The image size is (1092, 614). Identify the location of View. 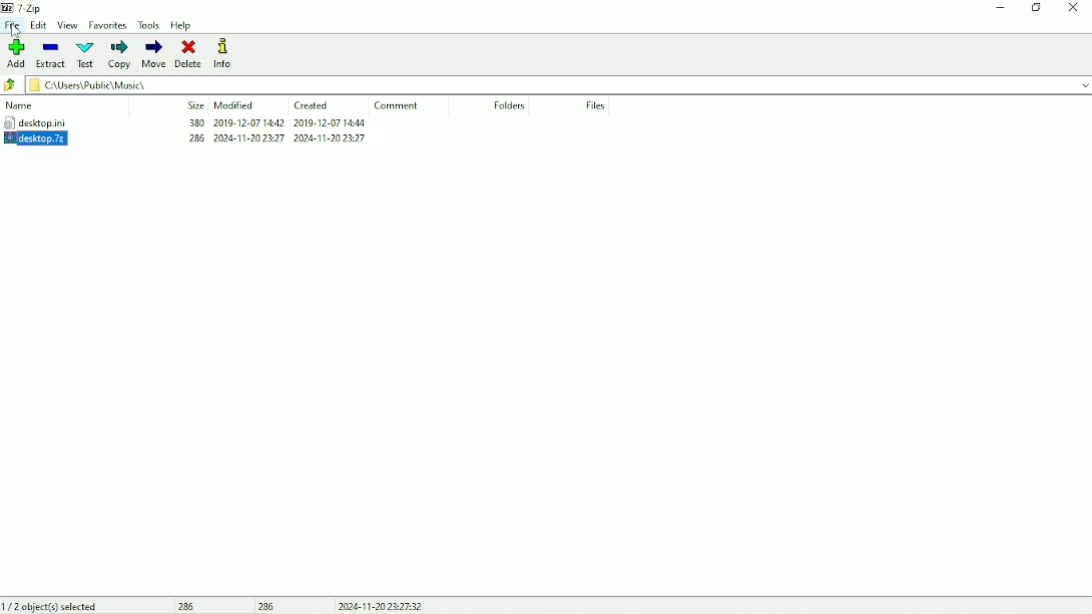
(69, 25).